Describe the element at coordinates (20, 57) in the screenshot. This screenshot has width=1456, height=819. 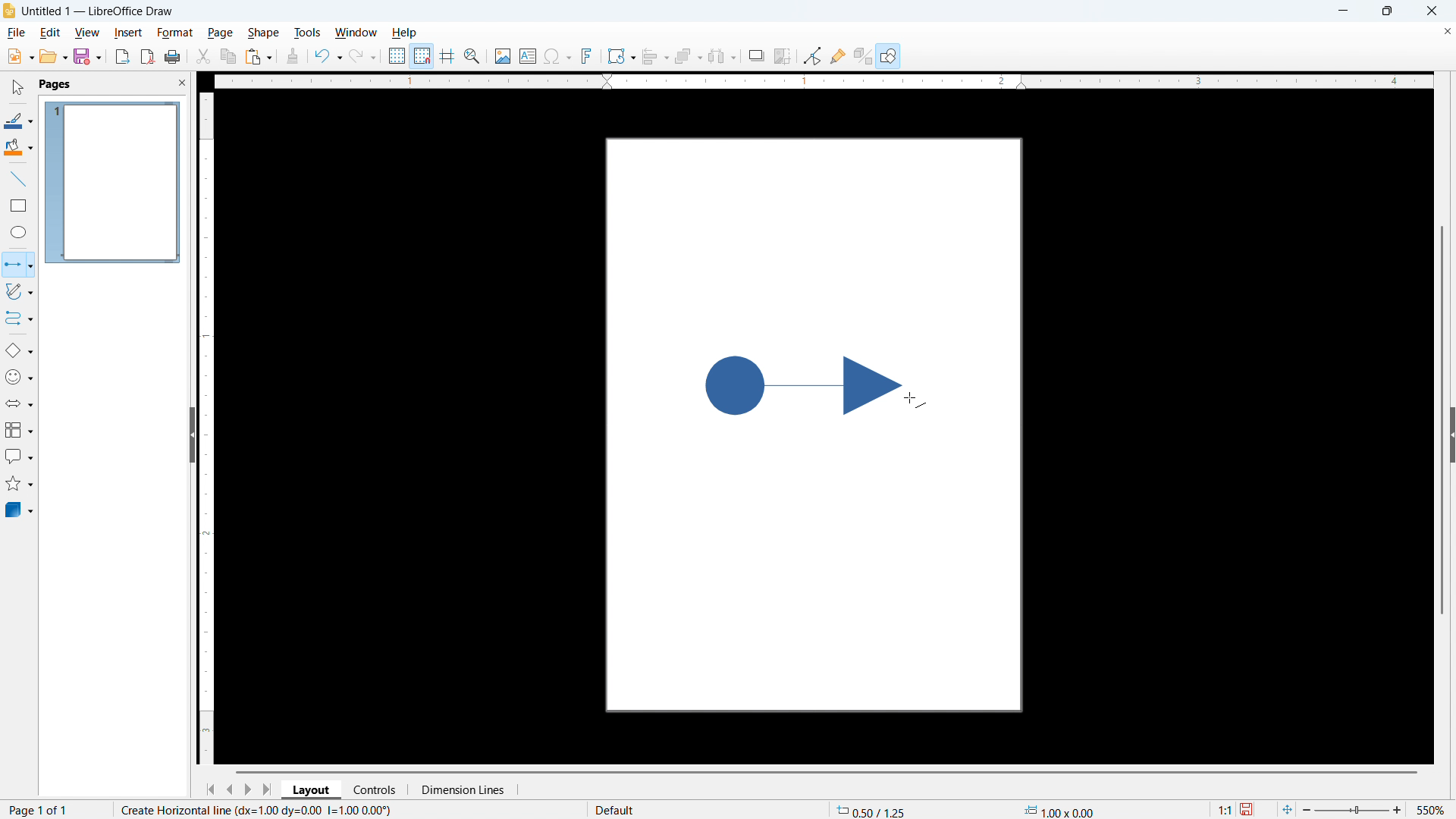
I see `New ` at that location.